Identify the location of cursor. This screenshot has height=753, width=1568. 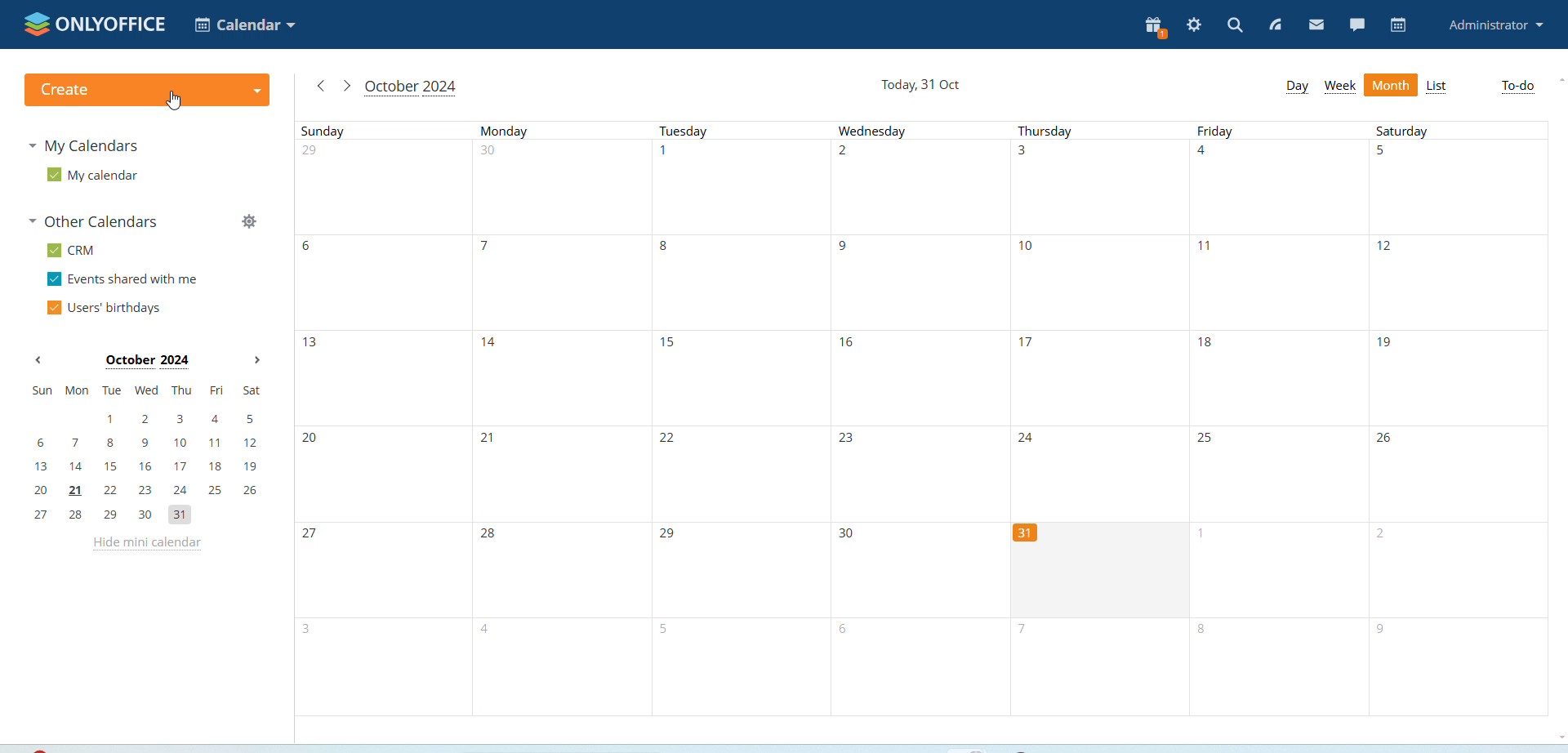
(173, 103).